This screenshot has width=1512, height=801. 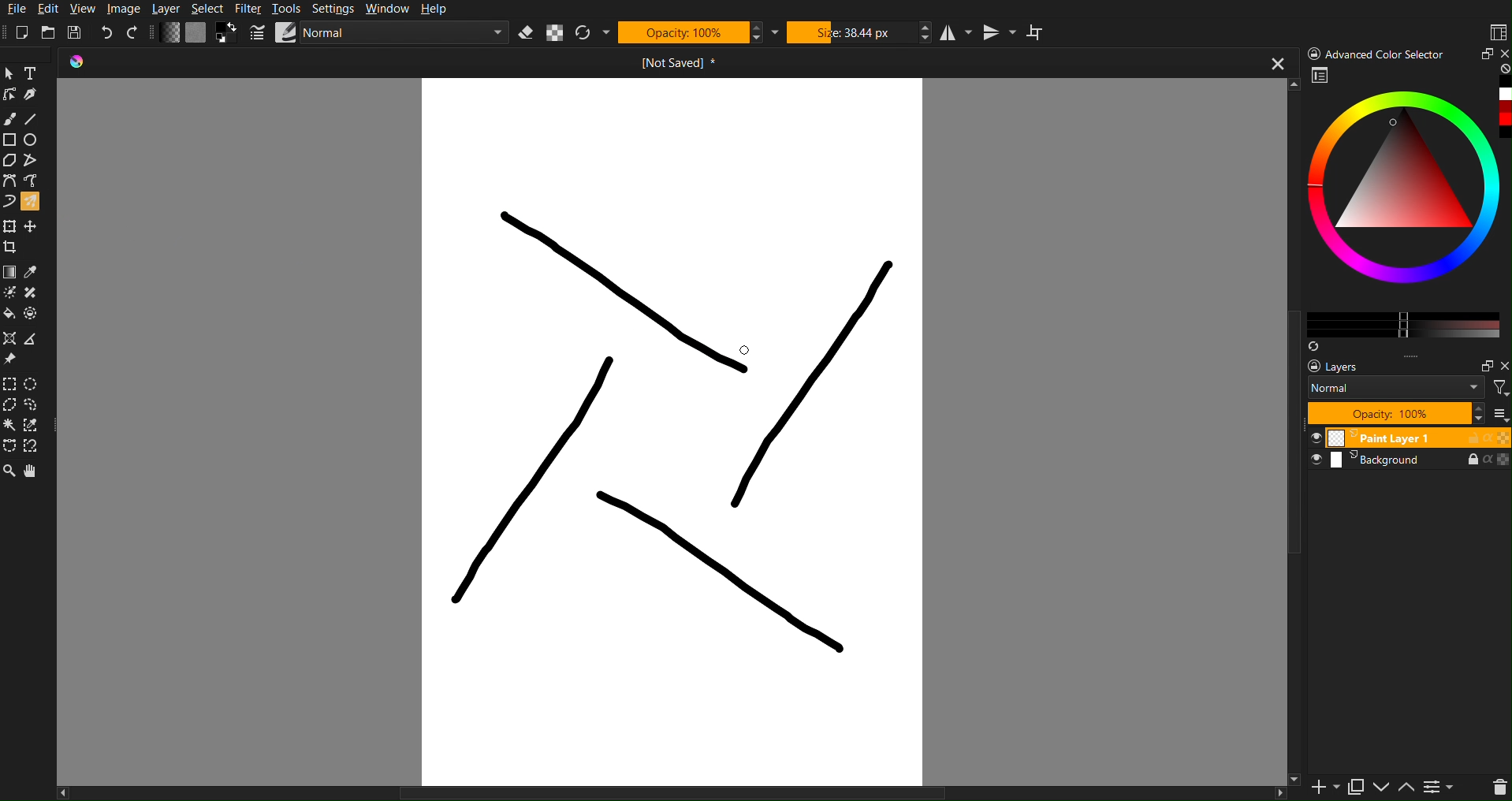 What do you see at coordinates (1424, 356) in the screenshot?
I see `more` at bounding box center [1424, 356].